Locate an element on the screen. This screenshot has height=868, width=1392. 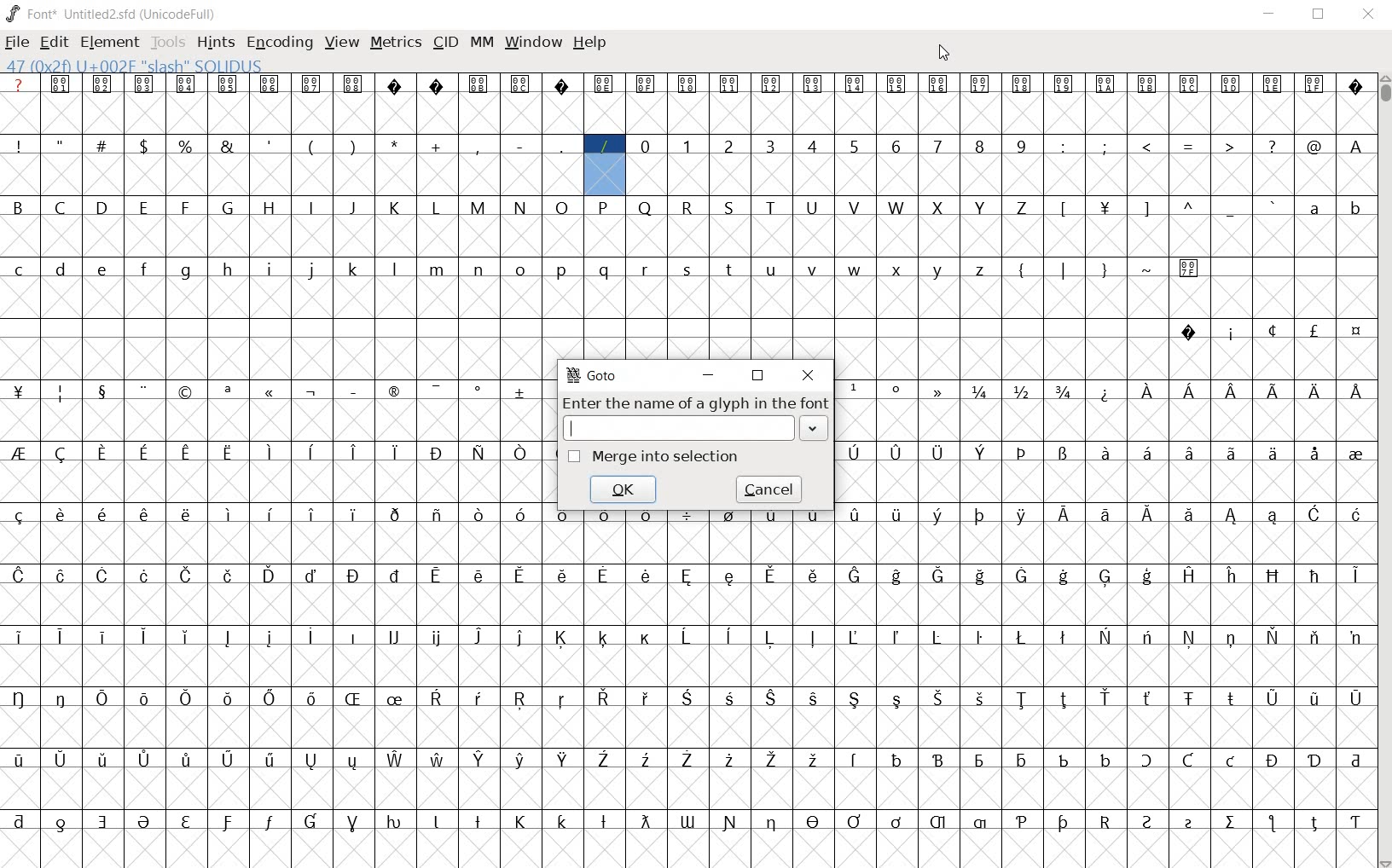
minimize is located at coordinates (710, 374).